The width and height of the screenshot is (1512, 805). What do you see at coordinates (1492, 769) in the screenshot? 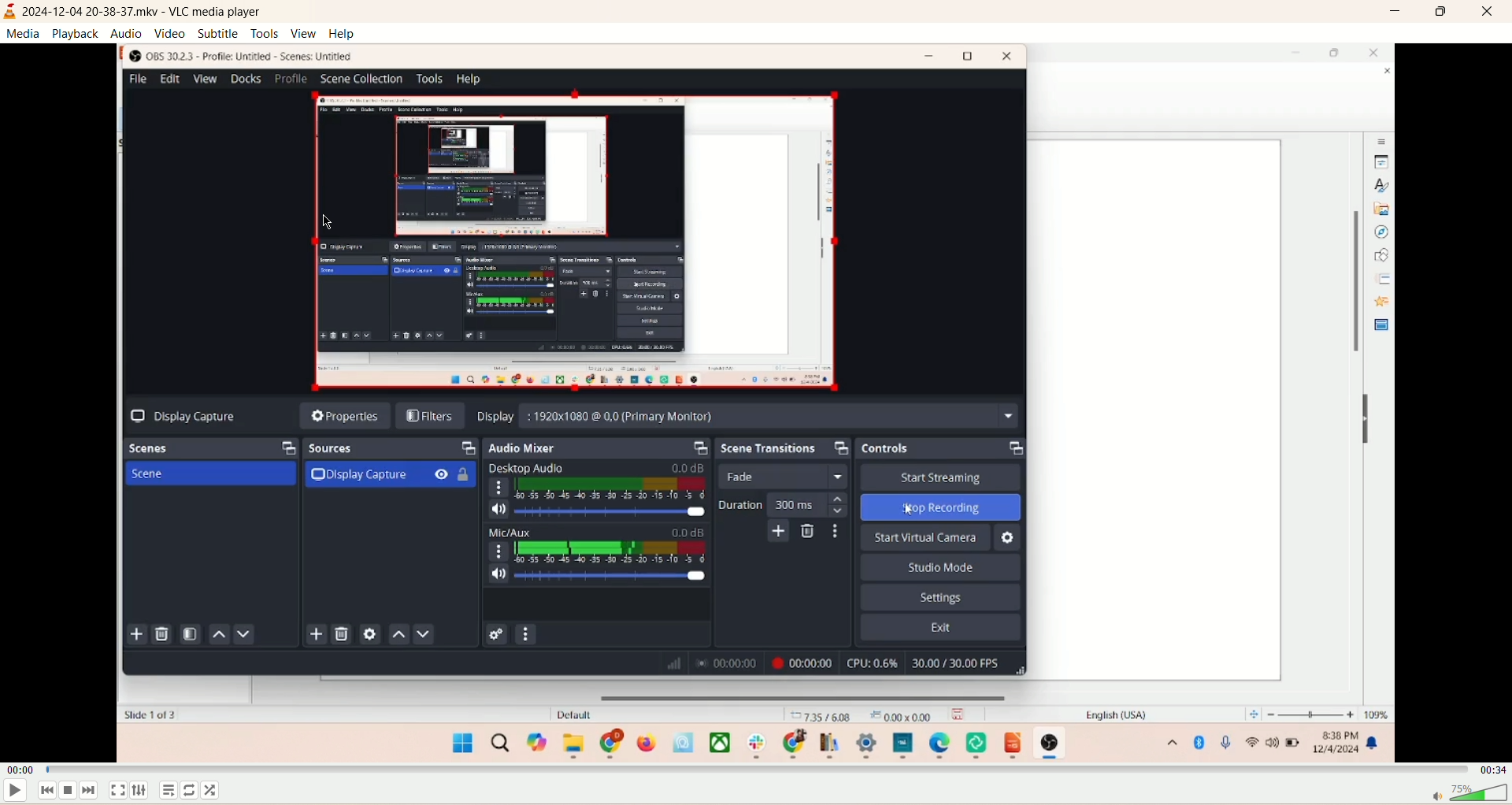
I see `total time` at bounding box center [1492, 769].